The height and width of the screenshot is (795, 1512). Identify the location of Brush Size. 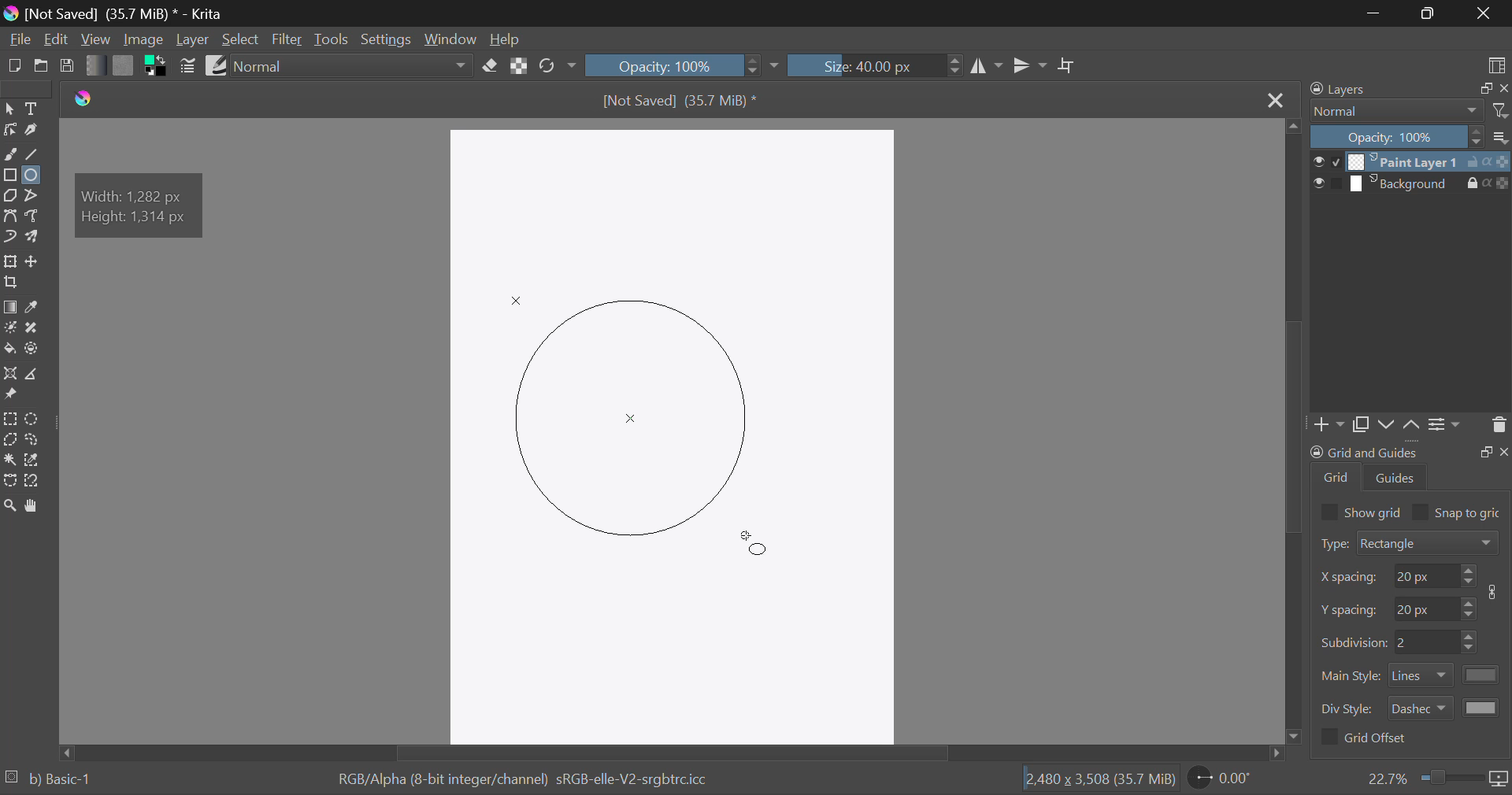
(873, 65).